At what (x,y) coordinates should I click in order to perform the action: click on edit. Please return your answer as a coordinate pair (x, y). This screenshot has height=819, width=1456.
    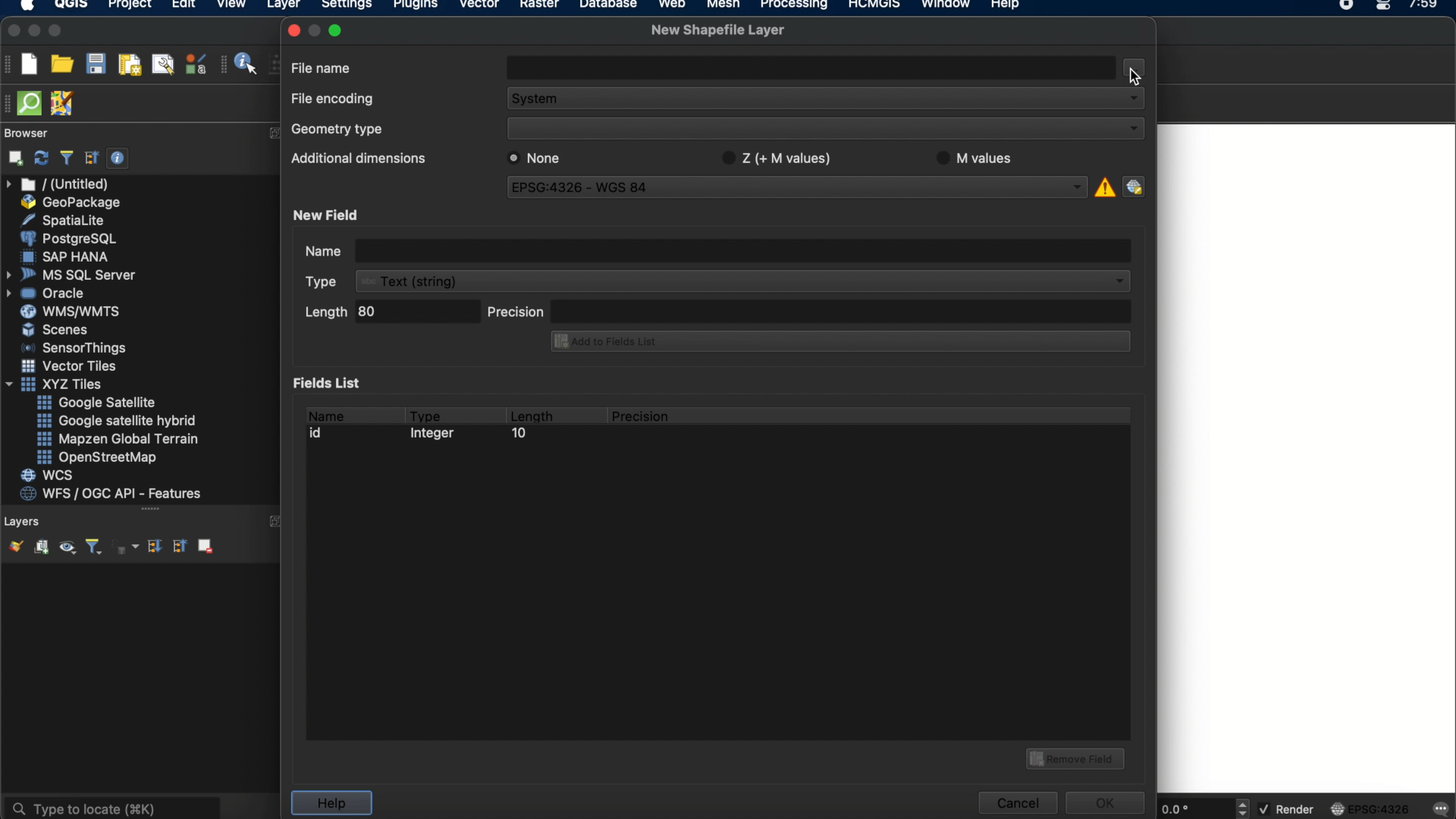
    Looking at the image, I should click on (184, 6).